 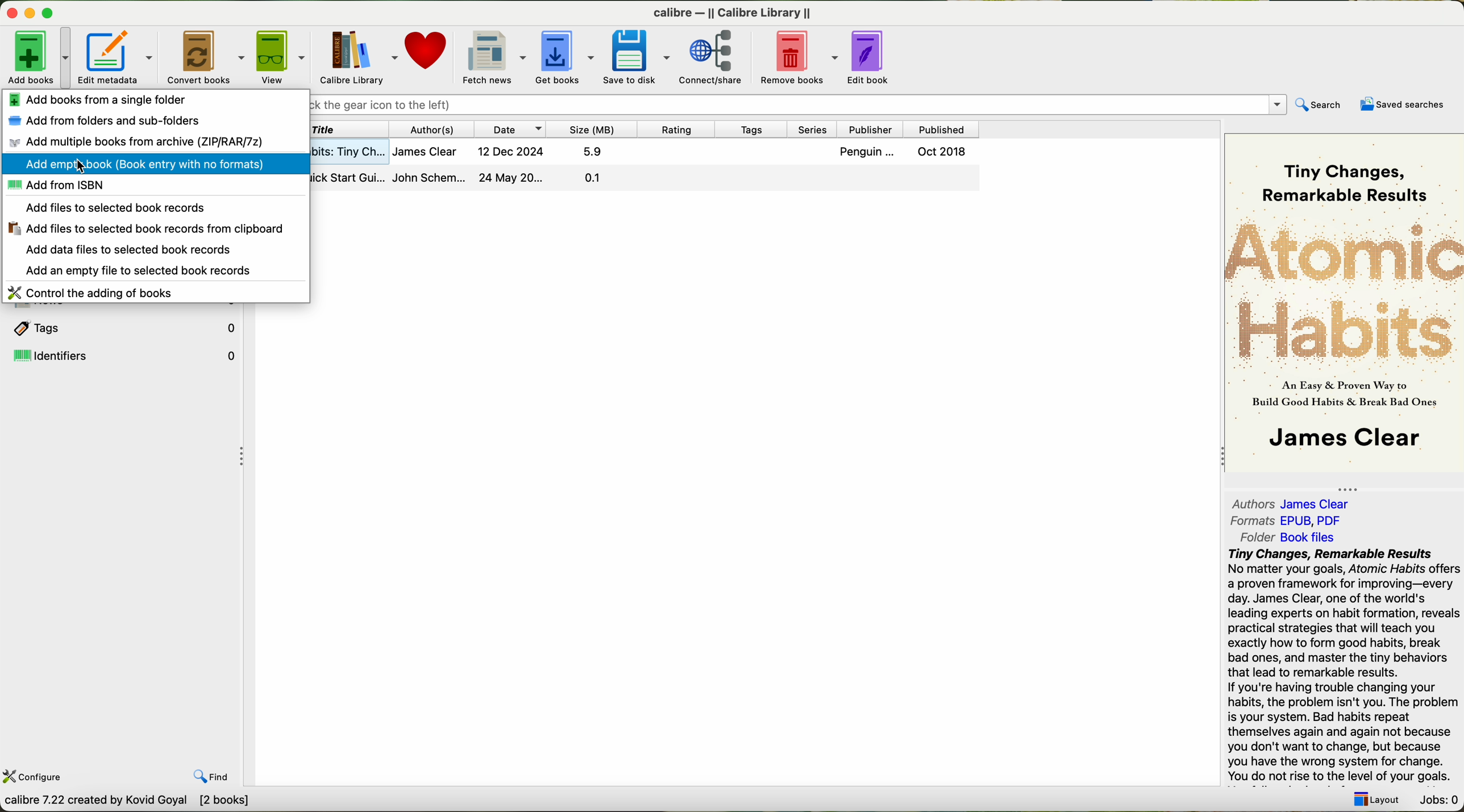 What do you see at coordinates (714, 58) in the screenshot?
I see `connect/share` at bounding box center [714, 58].